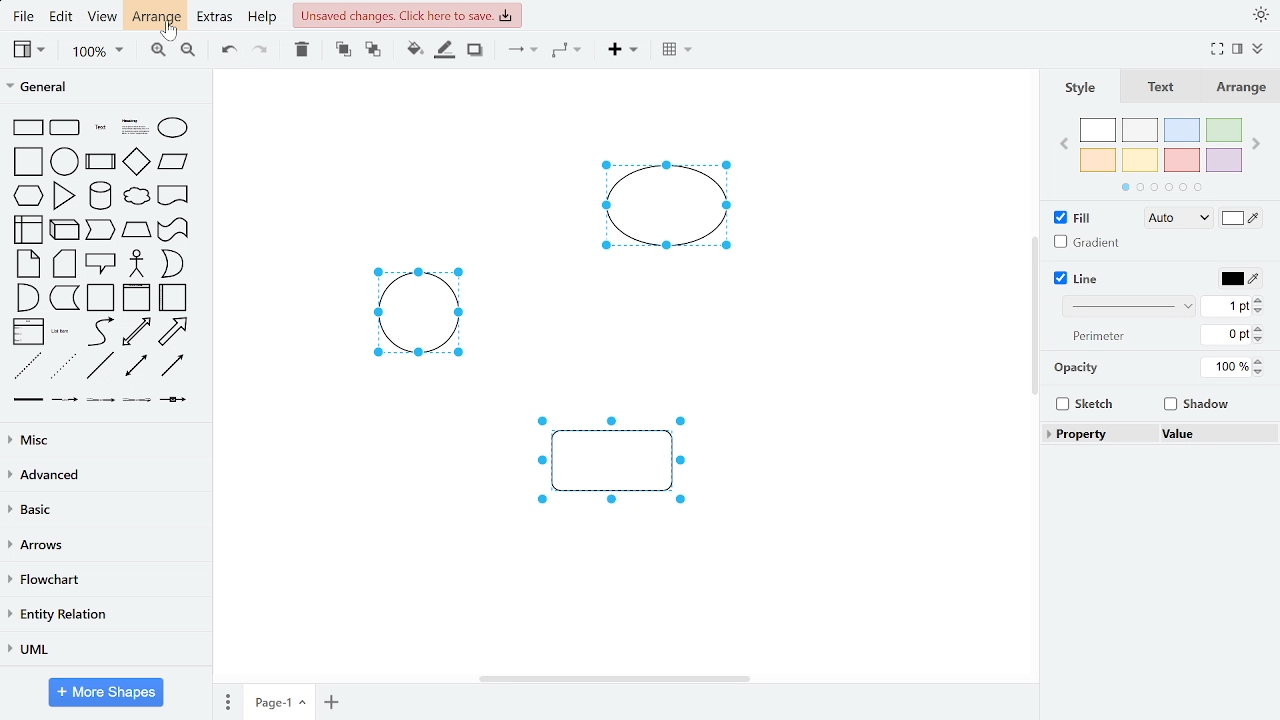 The height and width of the screenshot is (720, 1280). Describe the element at coordinates (1077, 278) in the screenshot. I see `Line` at that location.